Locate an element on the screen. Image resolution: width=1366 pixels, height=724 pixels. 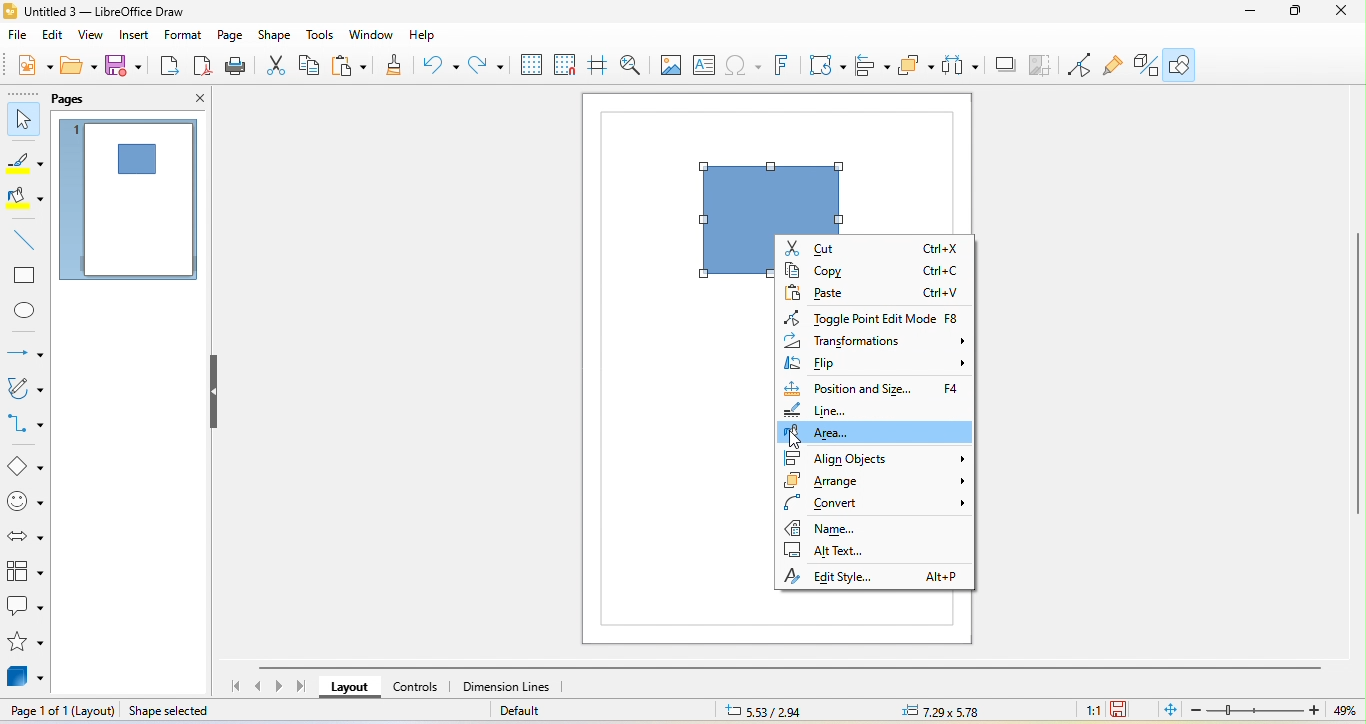
insert is located at coordinates (138, 36).